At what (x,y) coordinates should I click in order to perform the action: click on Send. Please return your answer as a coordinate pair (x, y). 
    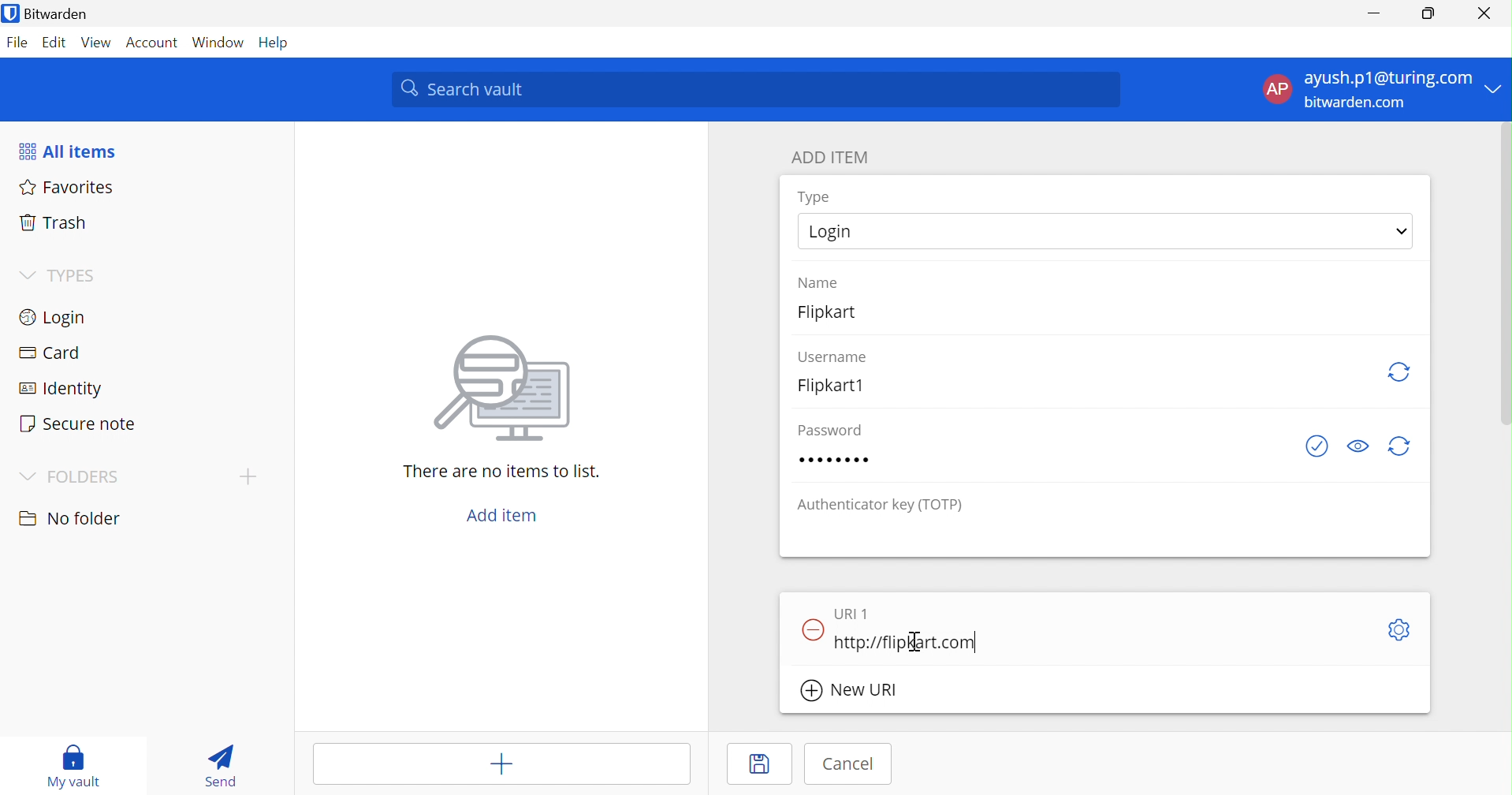
    Looking at the image, I should click on (219, 766).